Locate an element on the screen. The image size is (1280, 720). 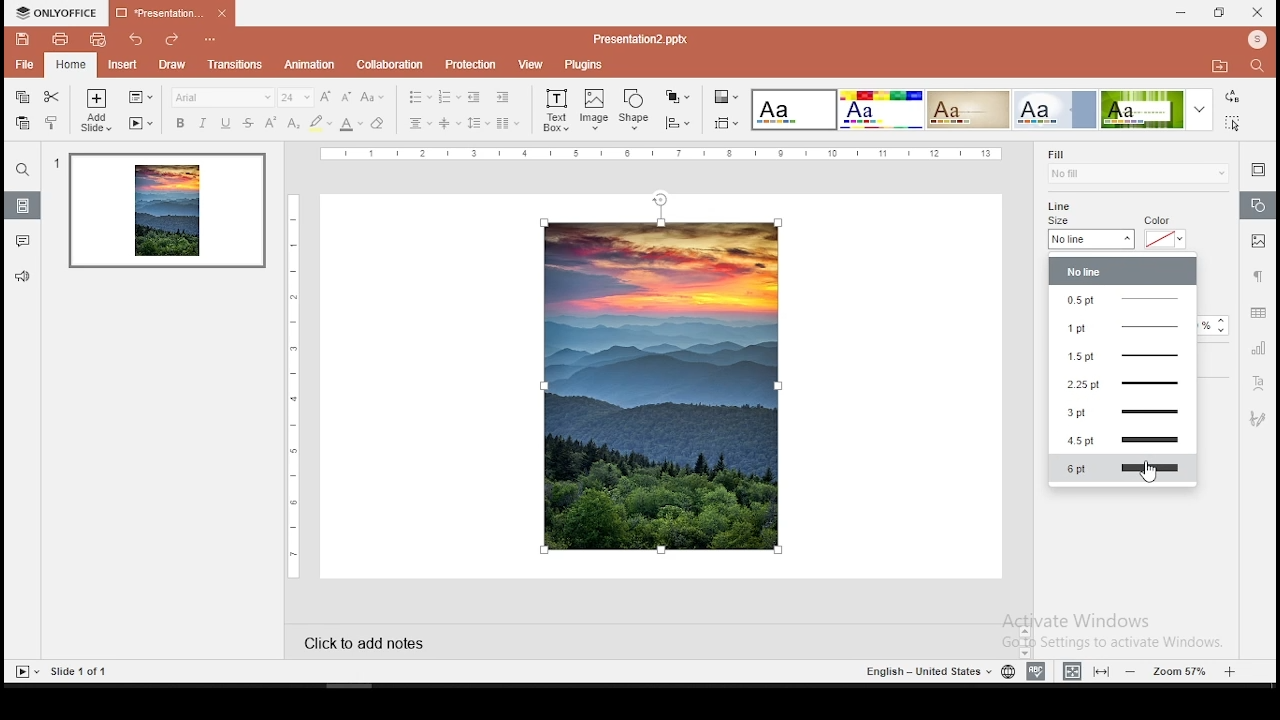
theme  is located at coordinates (968, 110).